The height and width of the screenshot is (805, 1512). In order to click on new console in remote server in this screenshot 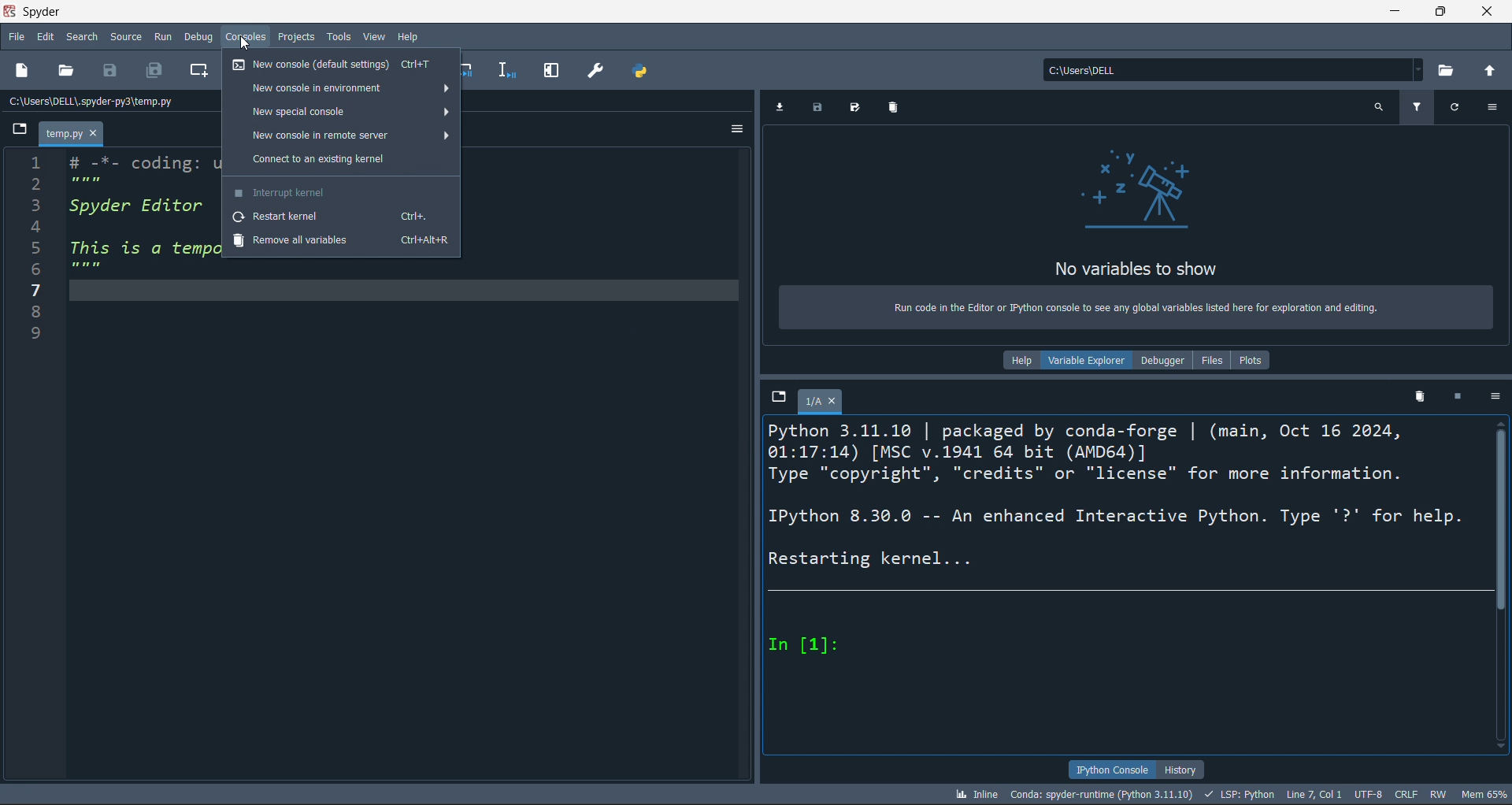, I will do `click(341, 136)`.